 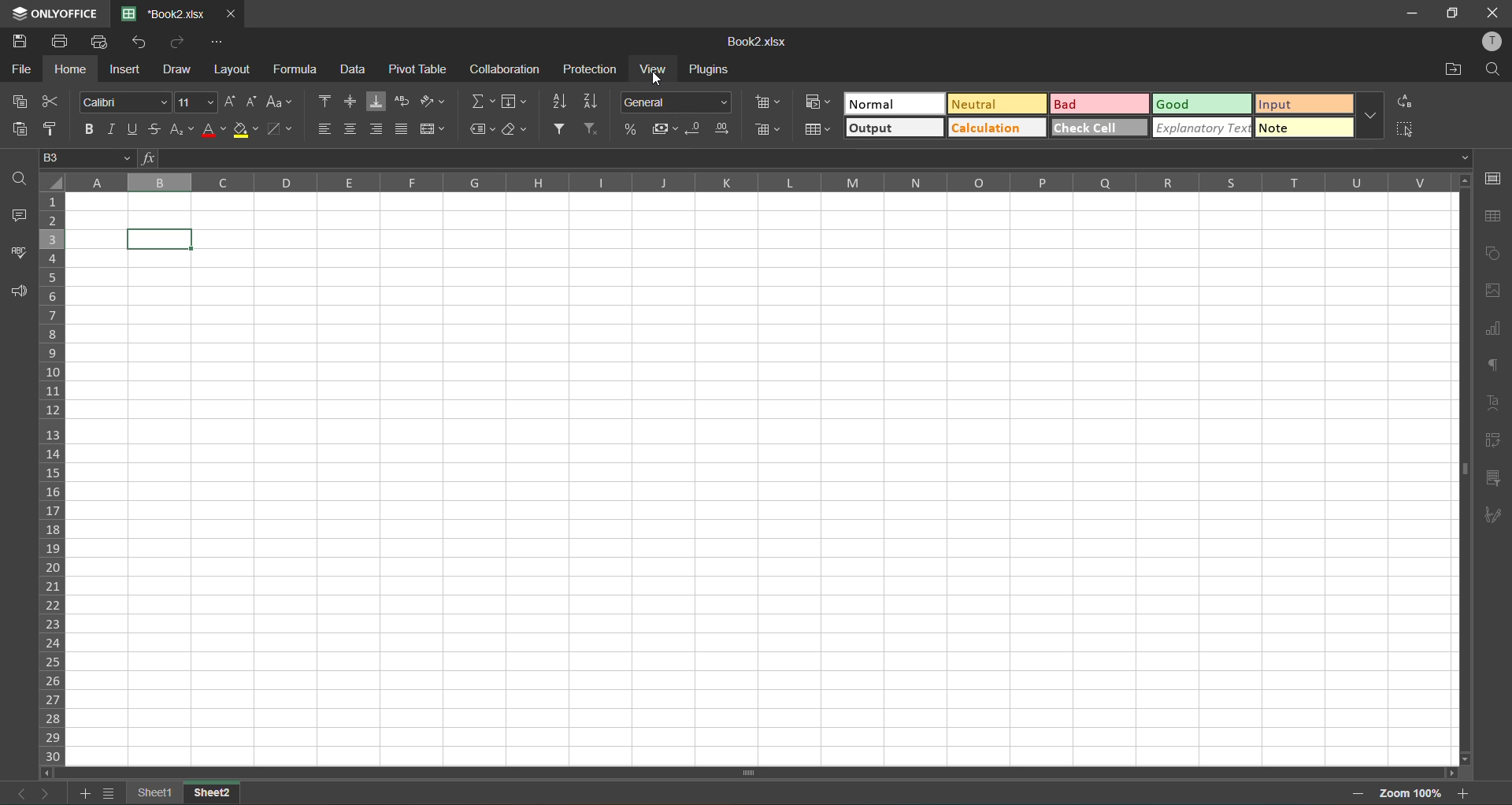 I want to click on explanatory check, so click(x=1201, y=128).